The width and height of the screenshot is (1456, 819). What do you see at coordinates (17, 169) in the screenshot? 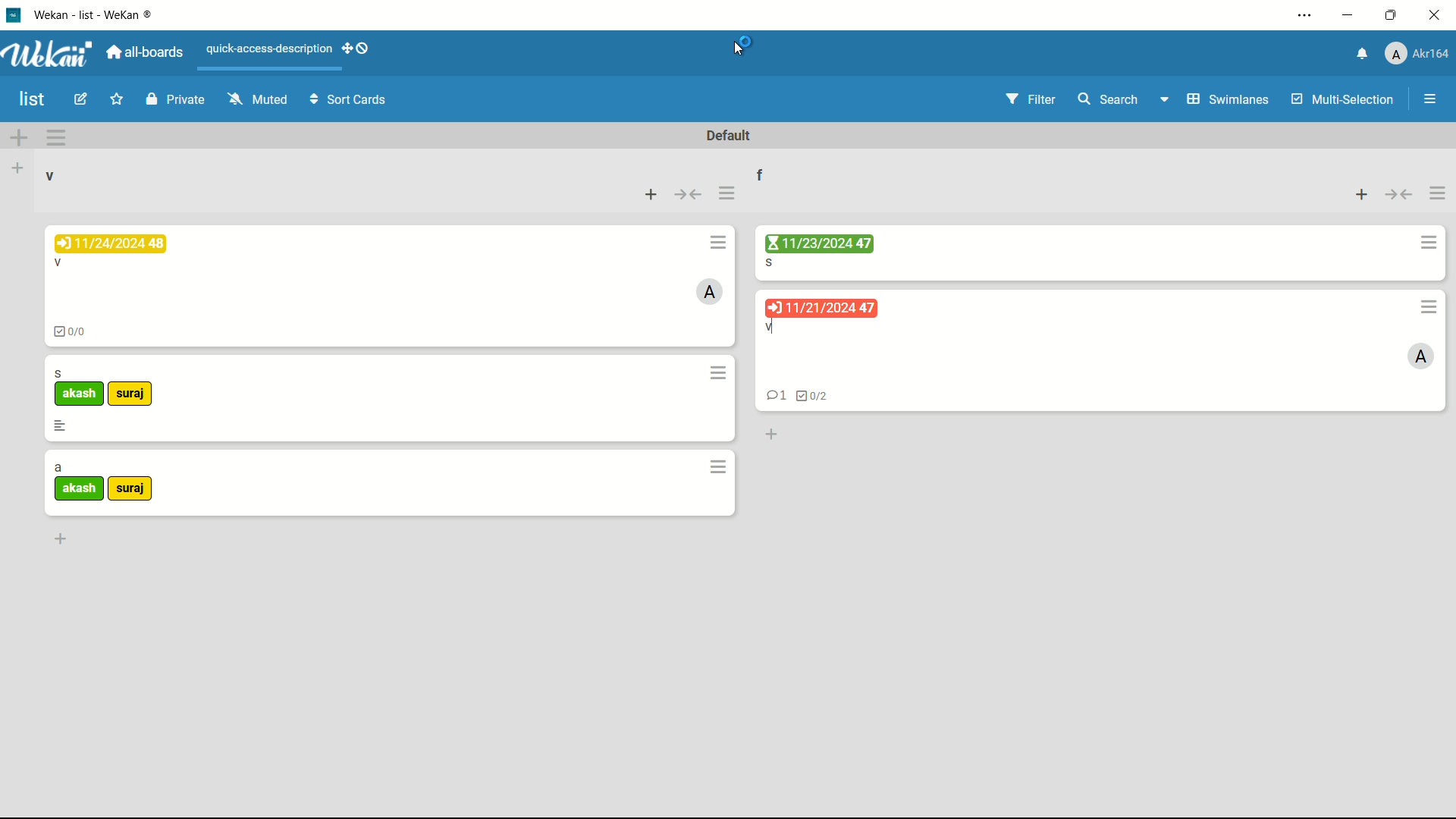
I see `add list` at bounding box center [17, 169].